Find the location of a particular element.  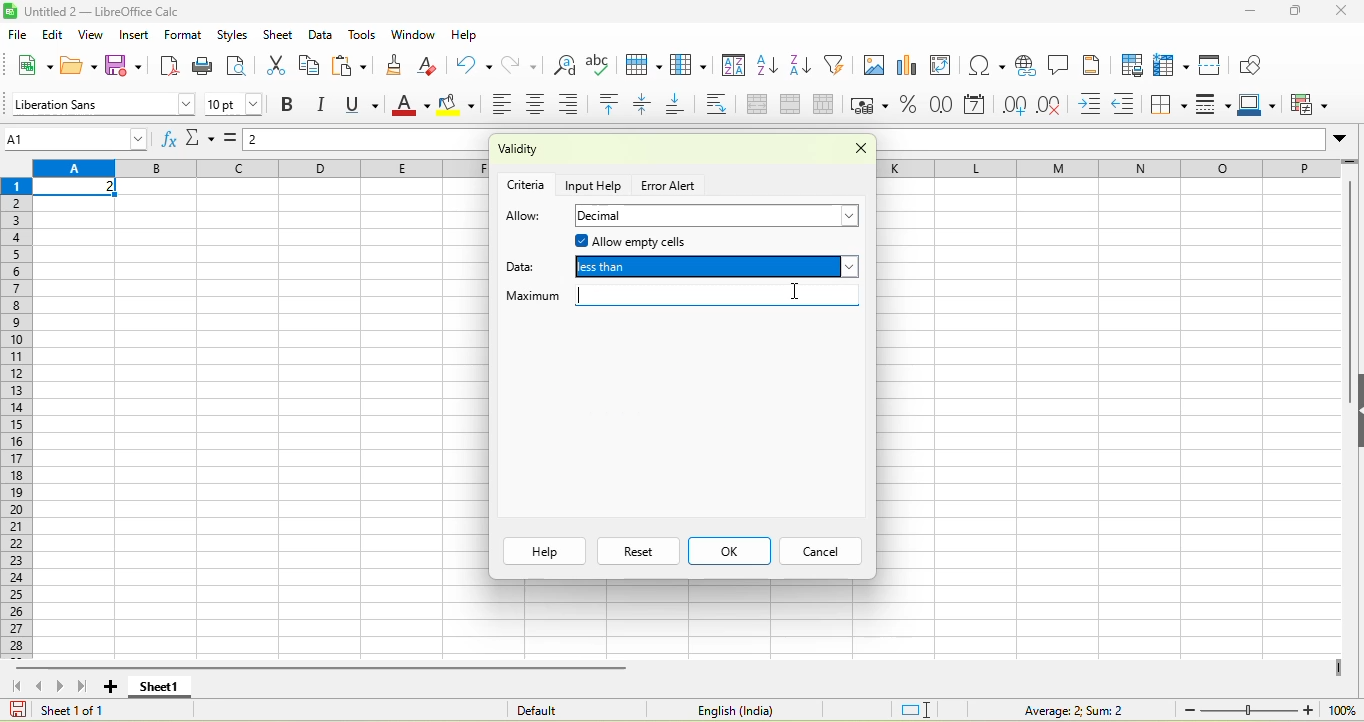

format as number is located at coordinates (943, 106).